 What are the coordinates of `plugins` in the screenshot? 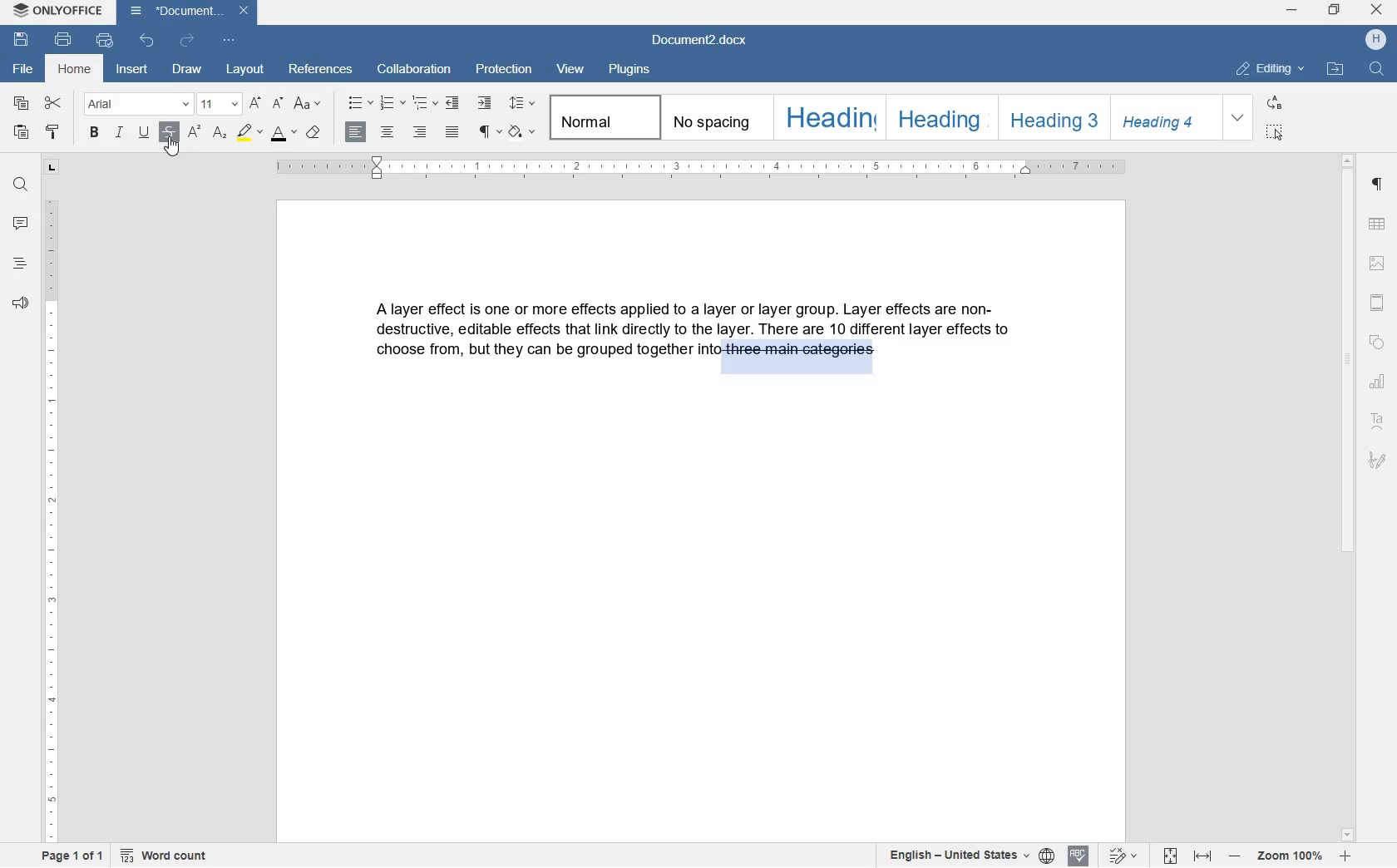 It's located at (629, 70).